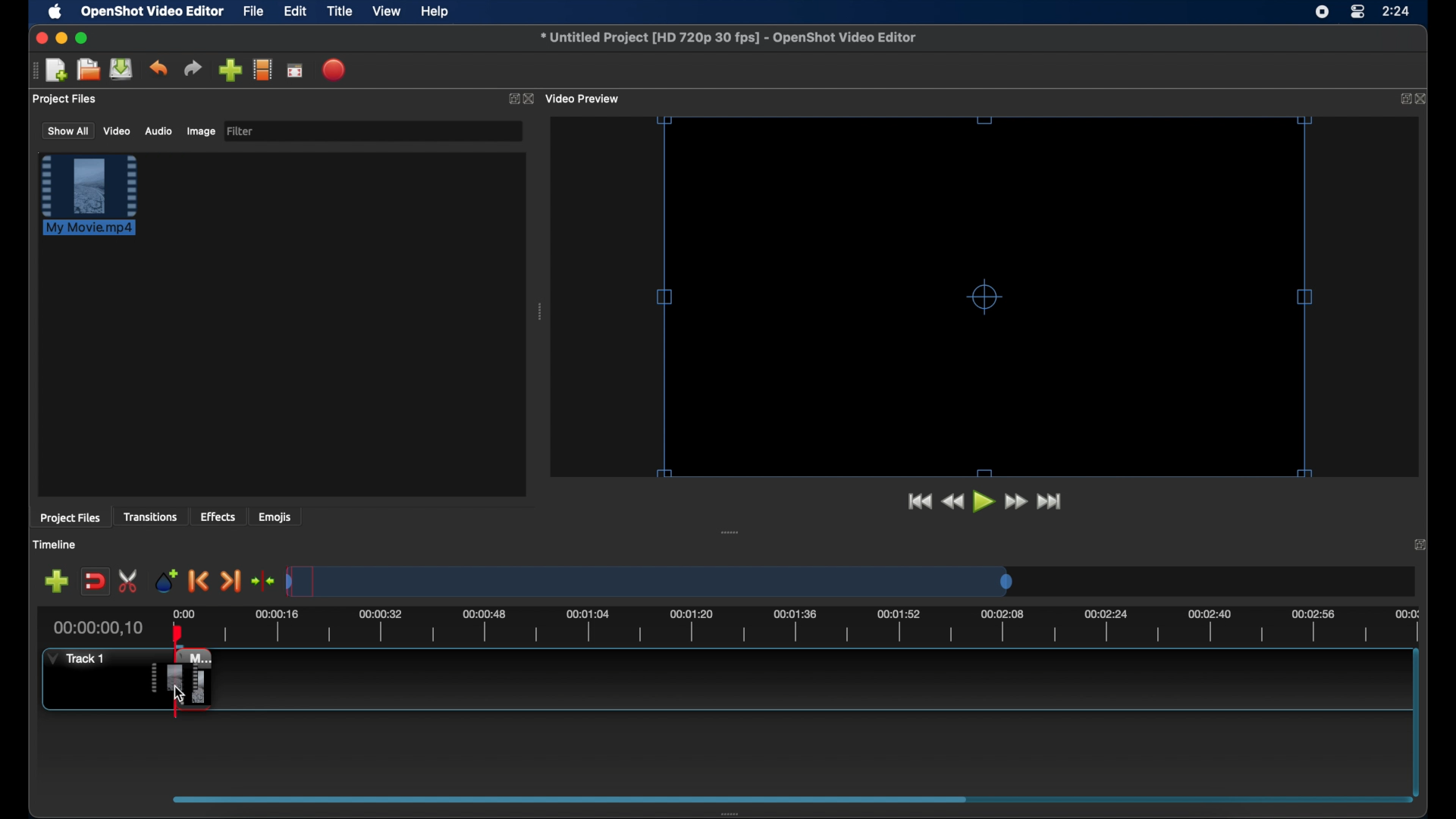 The width and height of the screenshot is (1456, 819). I want to click on drag handle, so click(33, 71).